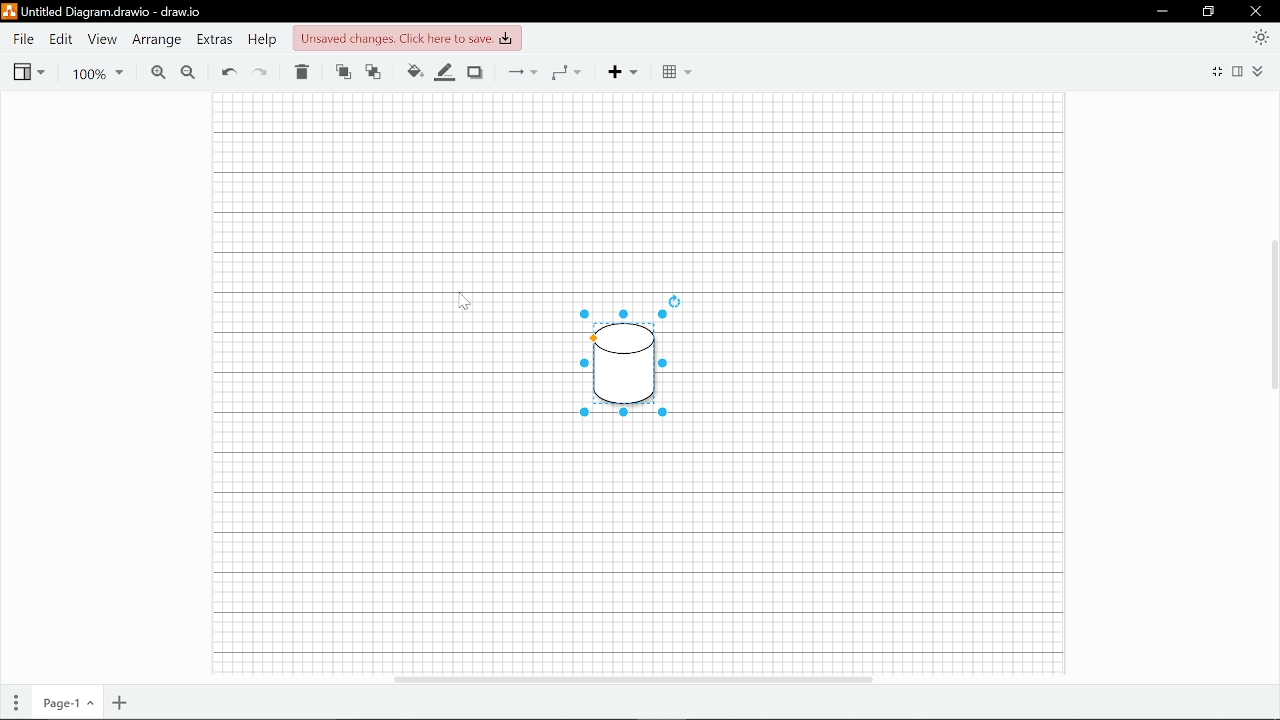  I want to click on Zoom, so click(96, 72).